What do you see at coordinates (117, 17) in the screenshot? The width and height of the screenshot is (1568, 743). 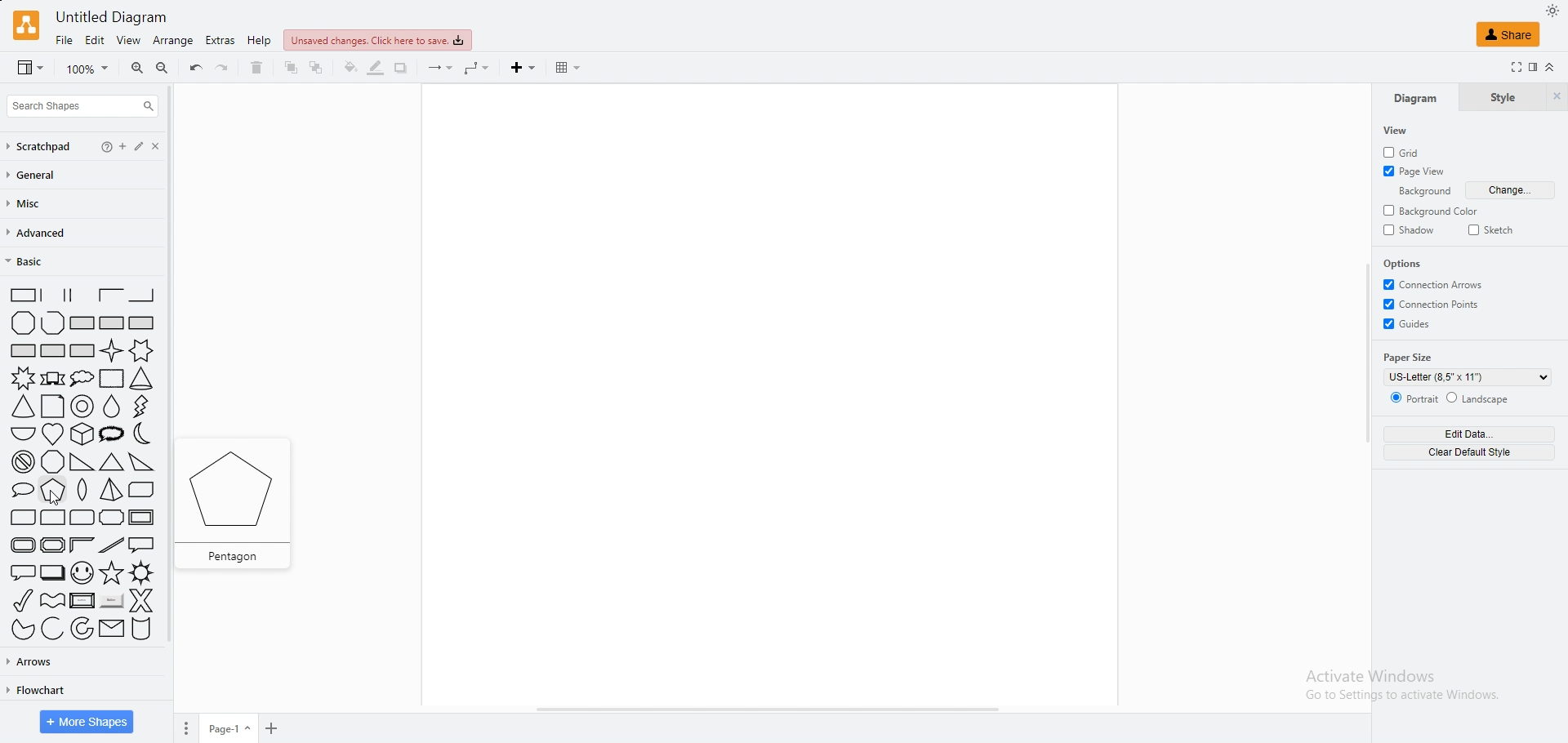 I see `Untitled Diagram` at bounding box center [117, 17].